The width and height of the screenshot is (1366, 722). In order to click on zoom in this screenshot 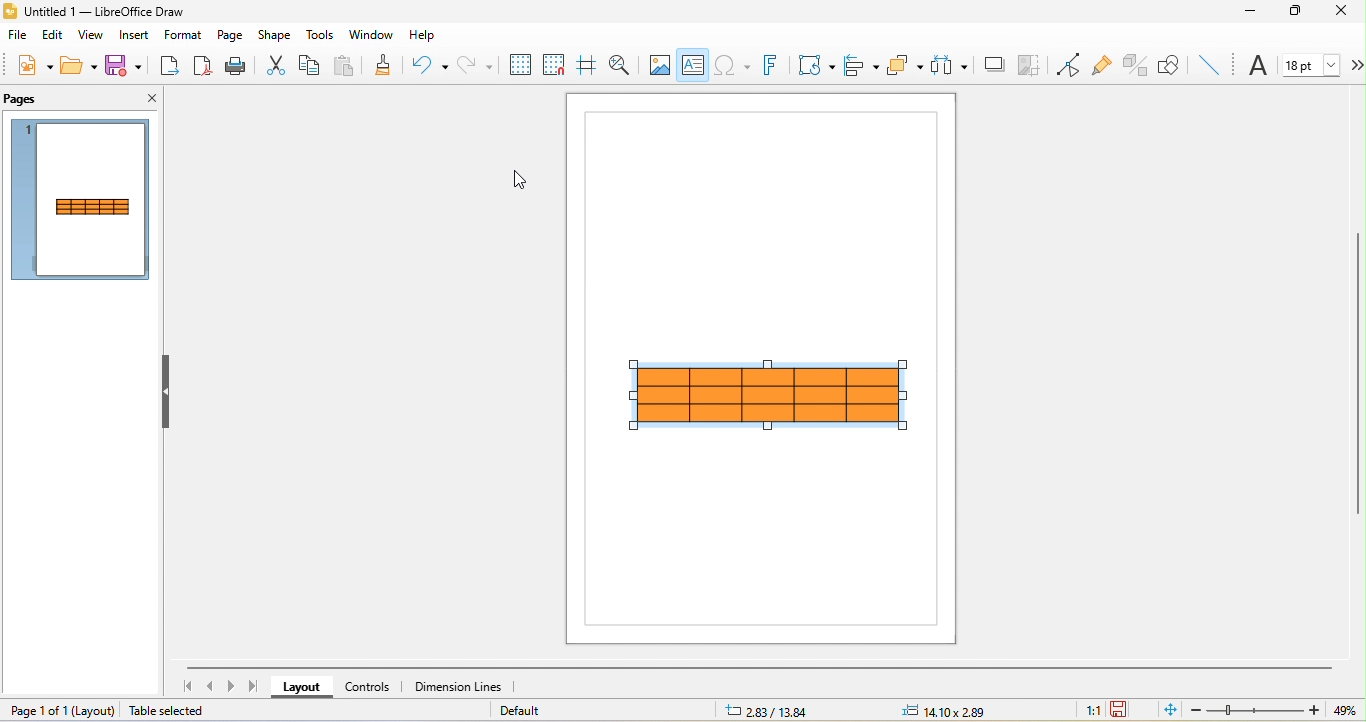, I will do `click(1254, 711)`.